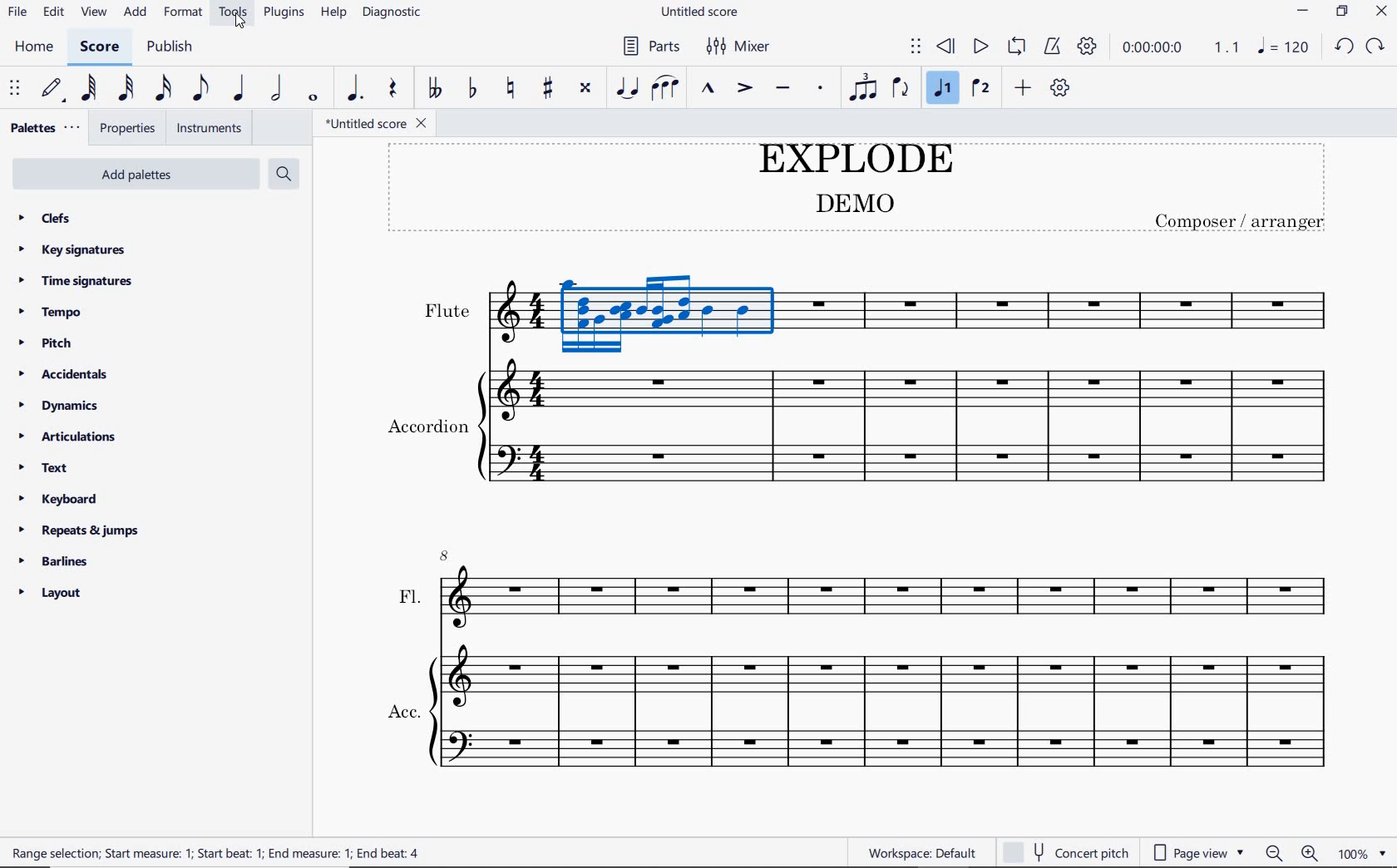 The height and width of the screenshot is (868, 1397). What do you see at coordinates (1292, 851) in the screenshot?
I see `zoom out or zoom in` at bounding box center [1292, 851].